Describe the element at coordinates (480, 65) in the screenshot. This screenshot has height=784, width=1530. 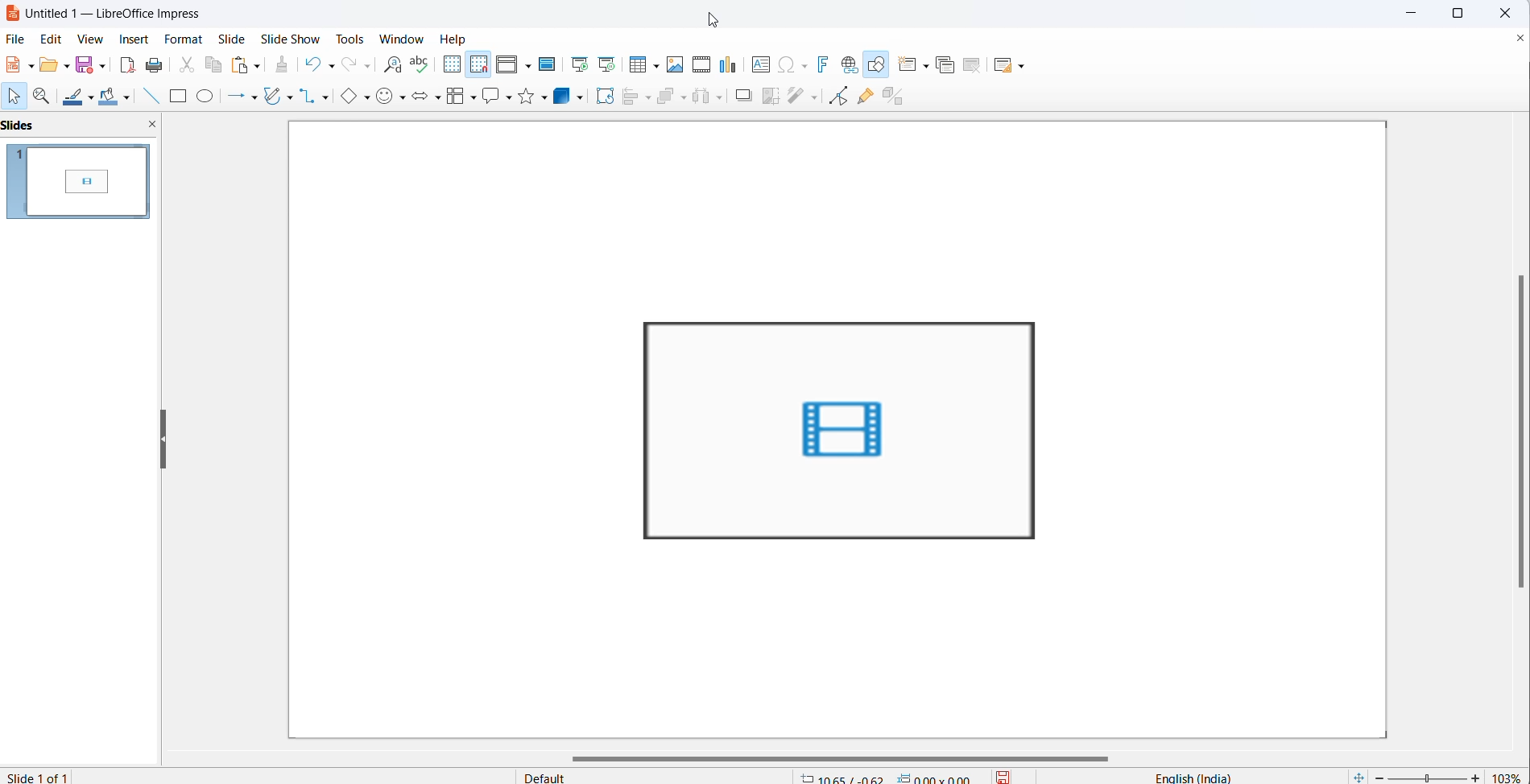
I see `snap to grid` at that location.